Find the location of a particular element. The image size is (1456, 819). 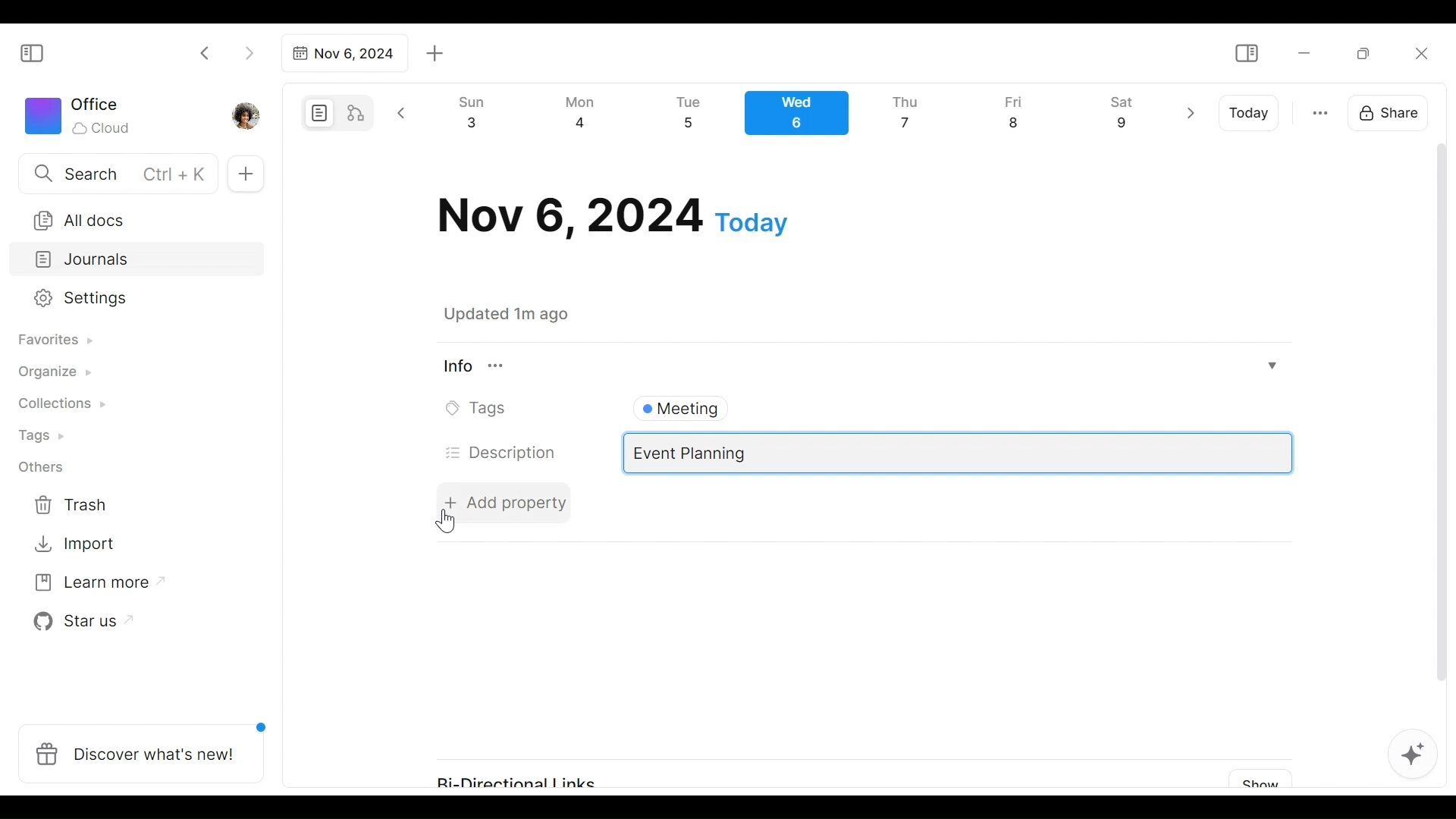

View Information is located at coordinates (858, 366).